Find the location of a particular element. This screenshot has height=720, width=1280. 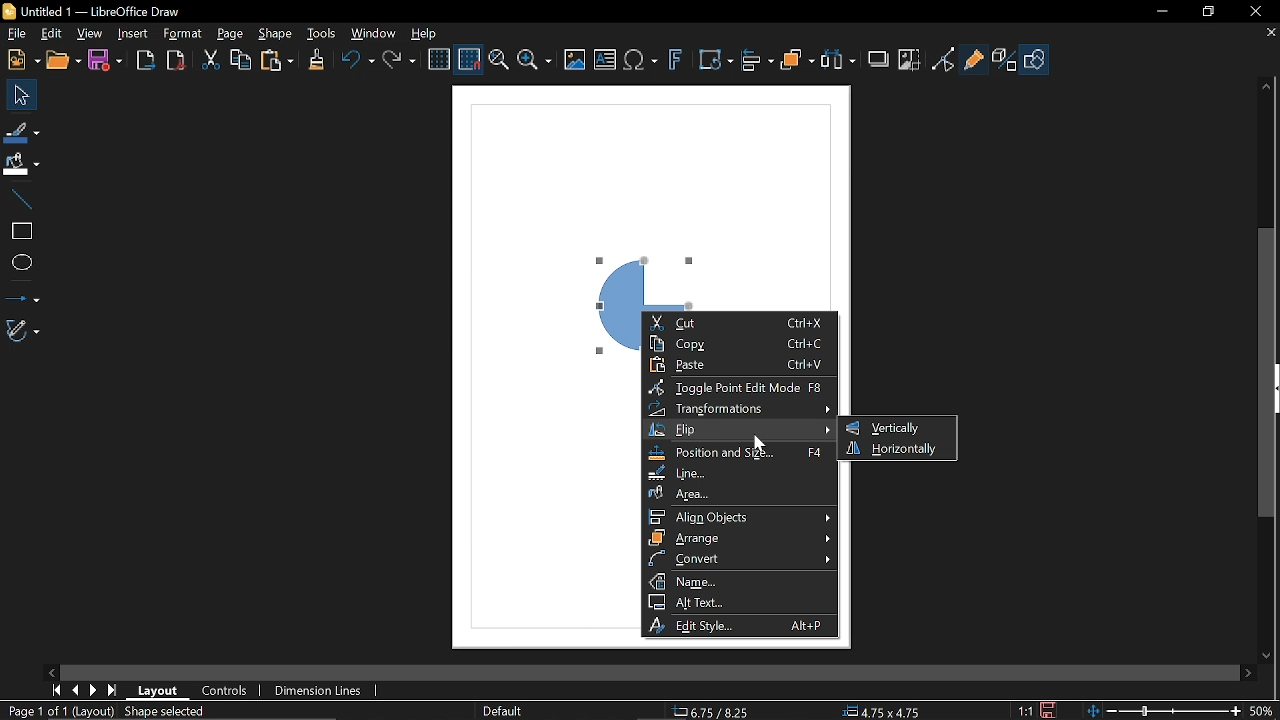

Change zoom is located at coordinates (1161, 710).